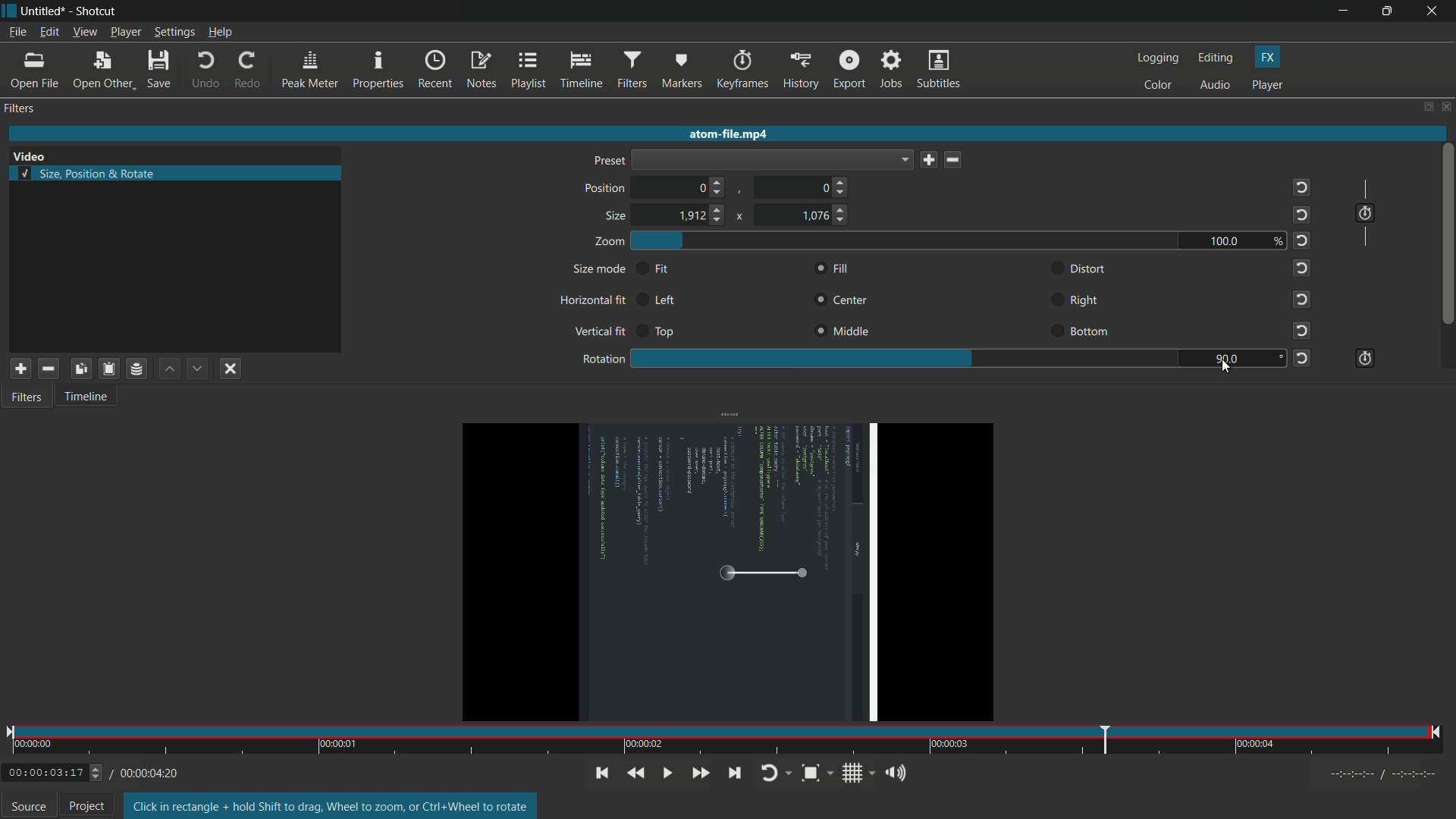  Describe the element at coordinates (1087, 301) in the screenshot. I see `right` at that location.